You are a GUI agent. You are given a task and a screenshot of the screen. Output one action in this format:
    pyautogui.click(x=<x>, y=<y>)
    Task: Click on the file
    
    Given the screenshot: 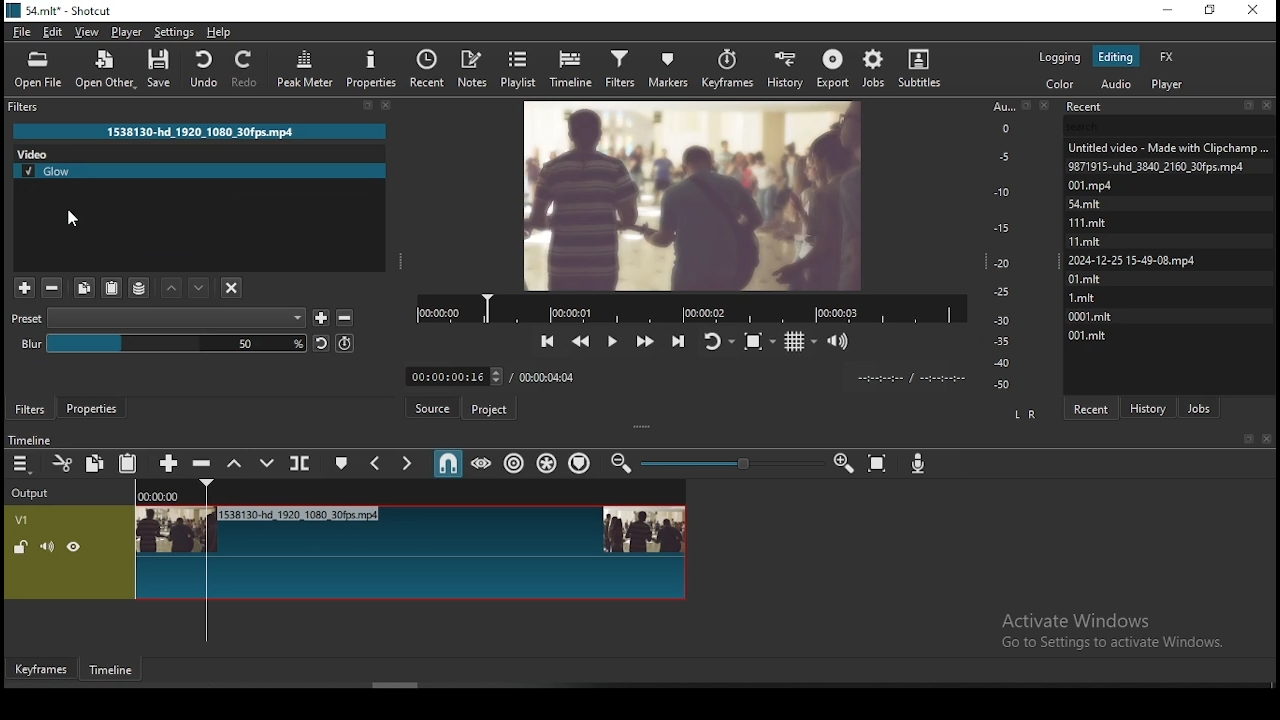 What is the action you would take?
    pyautogui.click(x=24, y=32)
    